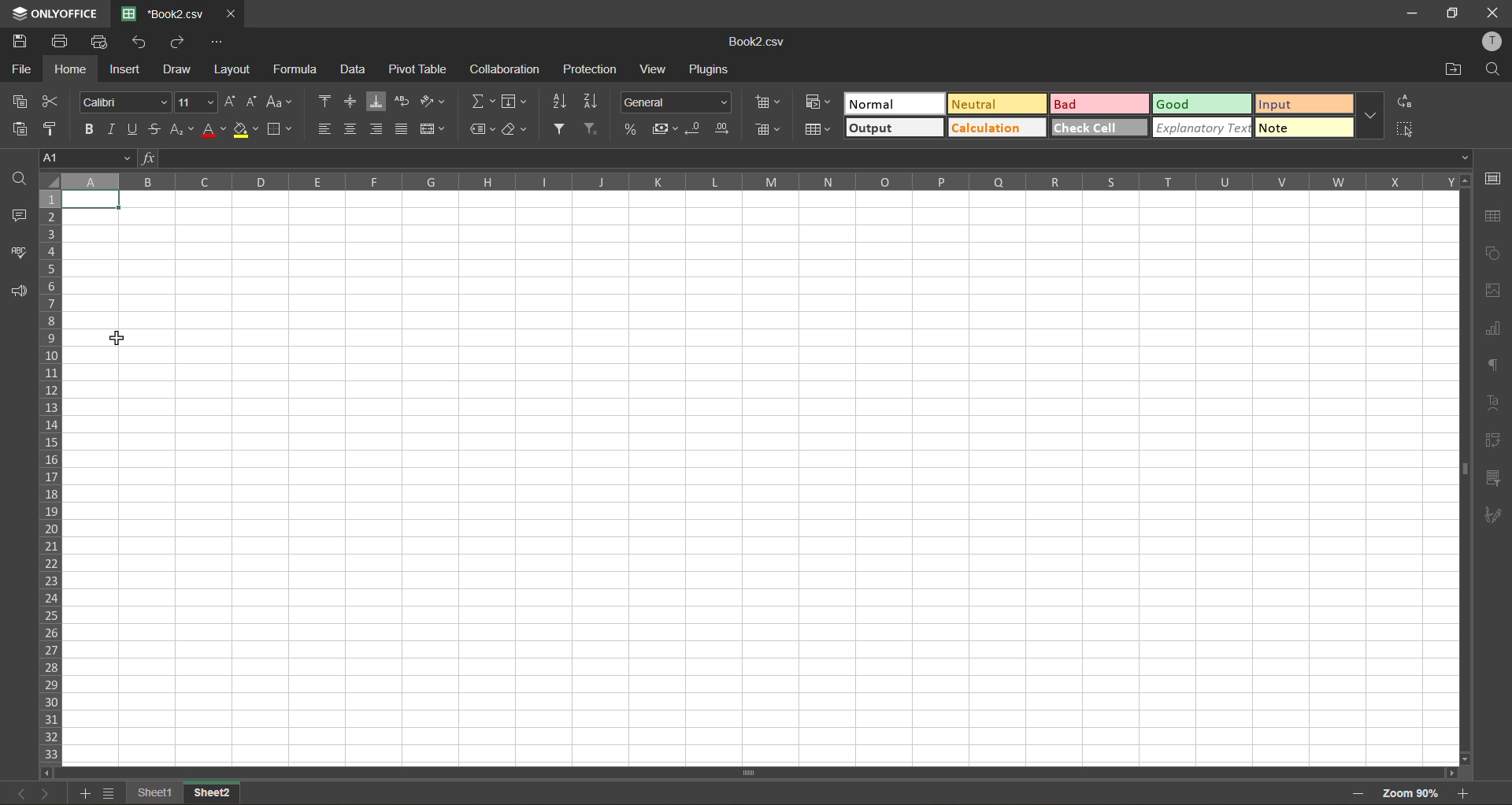  I want to click on input, so click(1303, 103).